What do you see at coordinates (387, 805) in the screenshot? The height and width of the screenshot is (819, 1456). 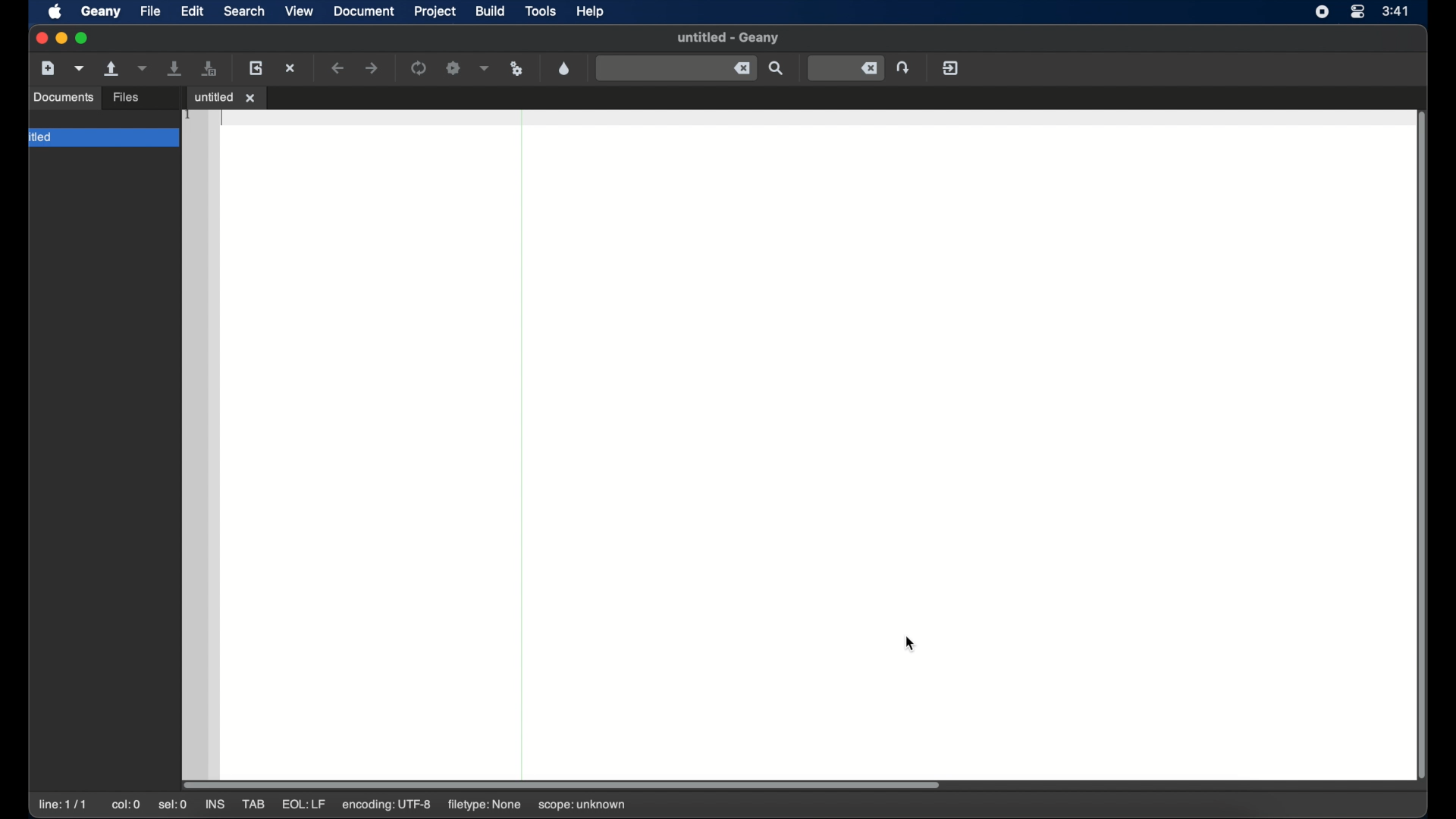 I see `encoding: utf-8` at bounding box center [387, 805].